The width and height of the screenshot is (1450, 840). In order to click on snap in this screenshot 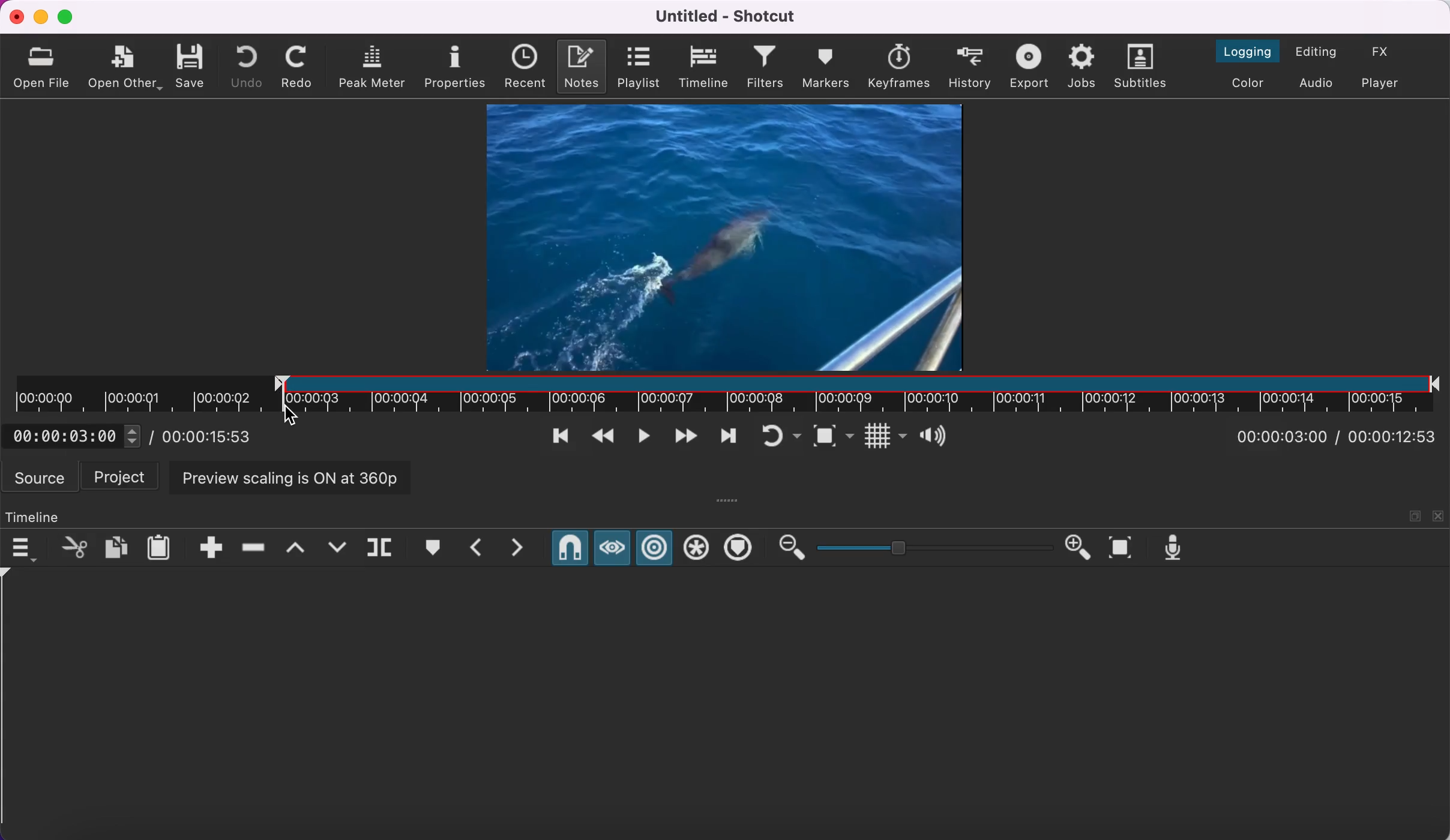, I will do `click(568, 548)`.